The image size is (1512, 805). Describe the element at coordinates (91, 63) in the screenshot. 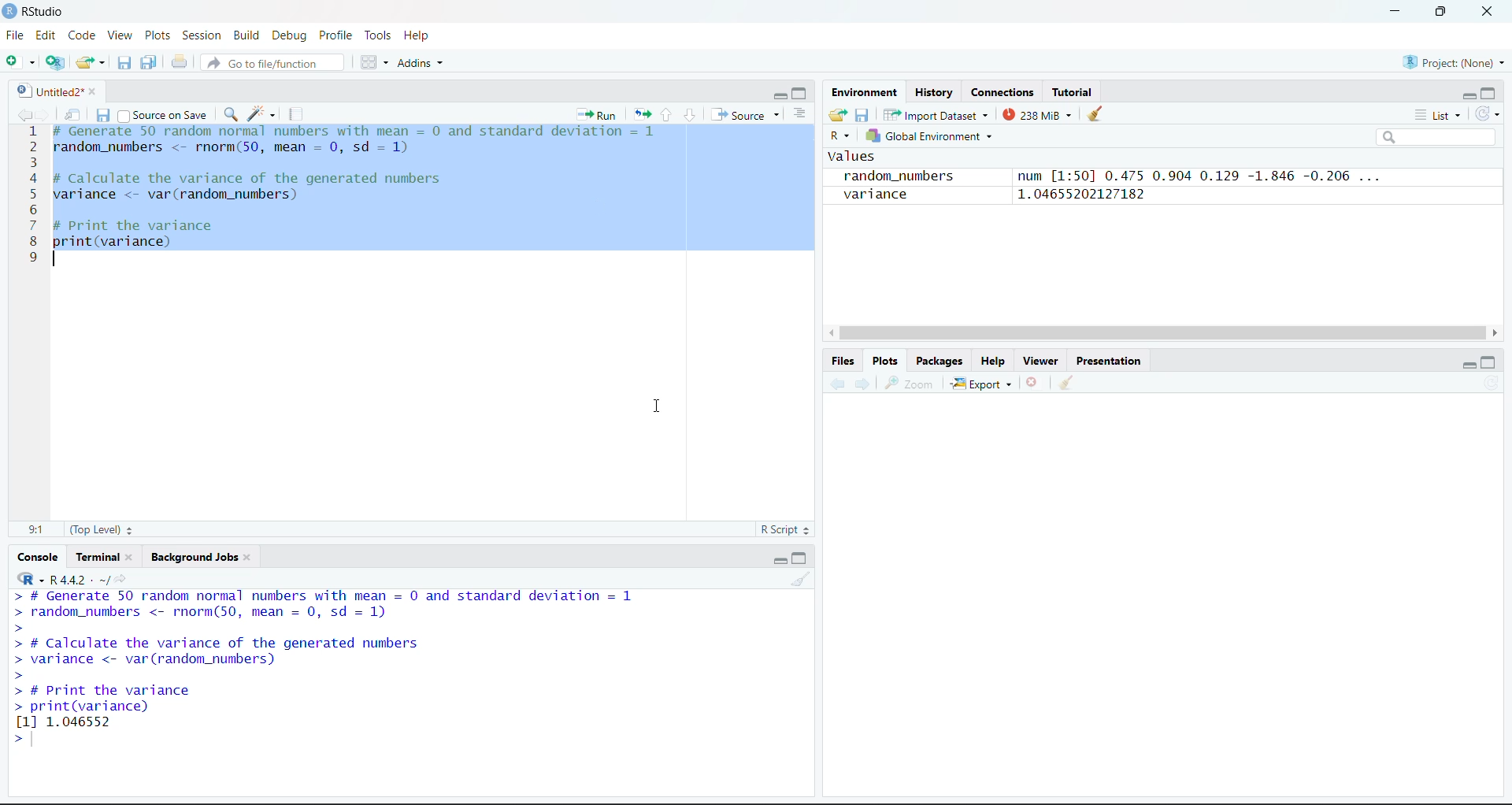

I see `open file` at that location.